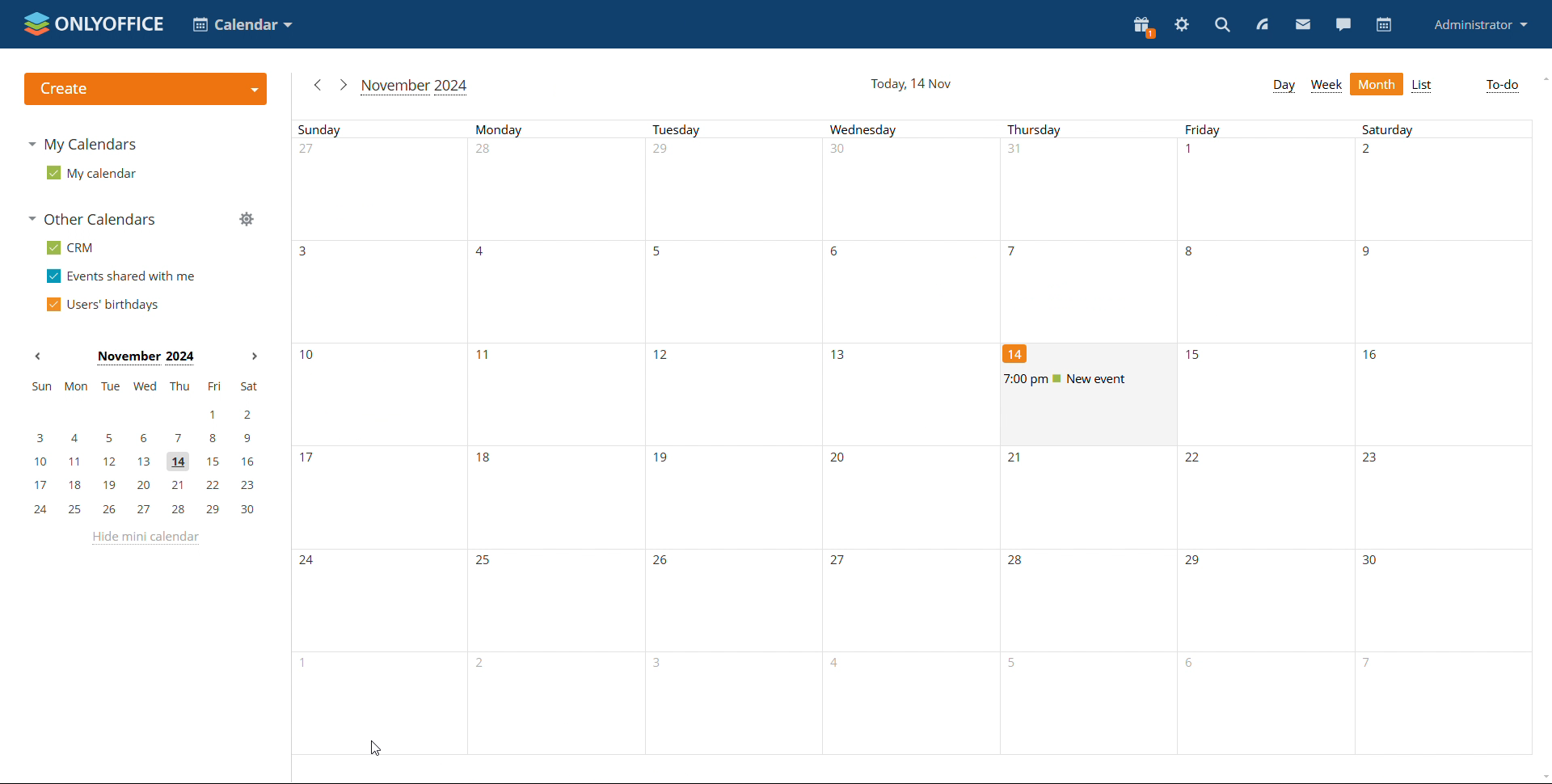 The width and height of the screenshot is (1552, 784). What do you see at coordinates (1018, 459) in the screenshot?
I see `number` at bounding box center [1018, 459].